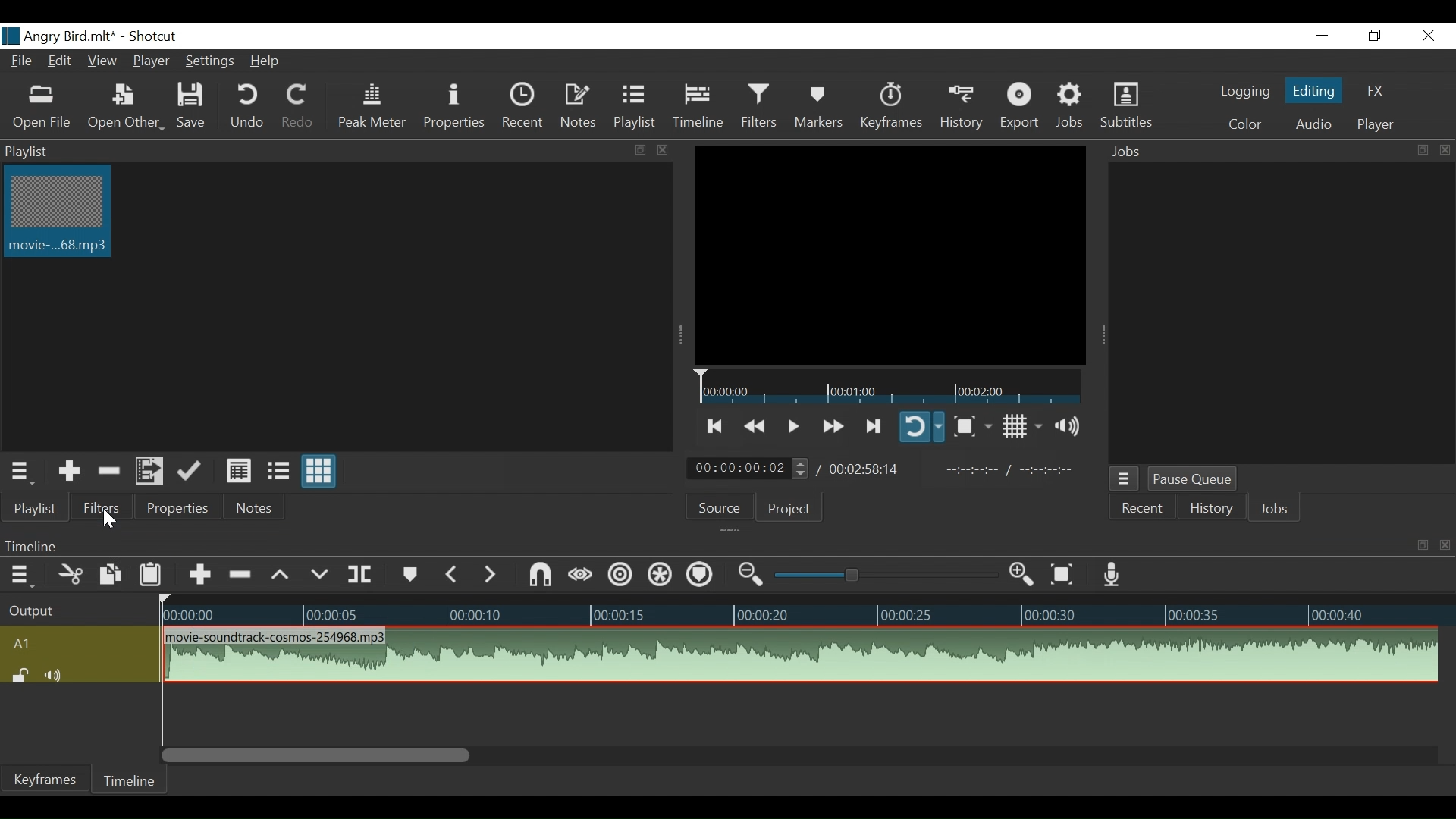  Describe the element at coordinates (110, 574) in the screenshot. I see `Copy` at that location.